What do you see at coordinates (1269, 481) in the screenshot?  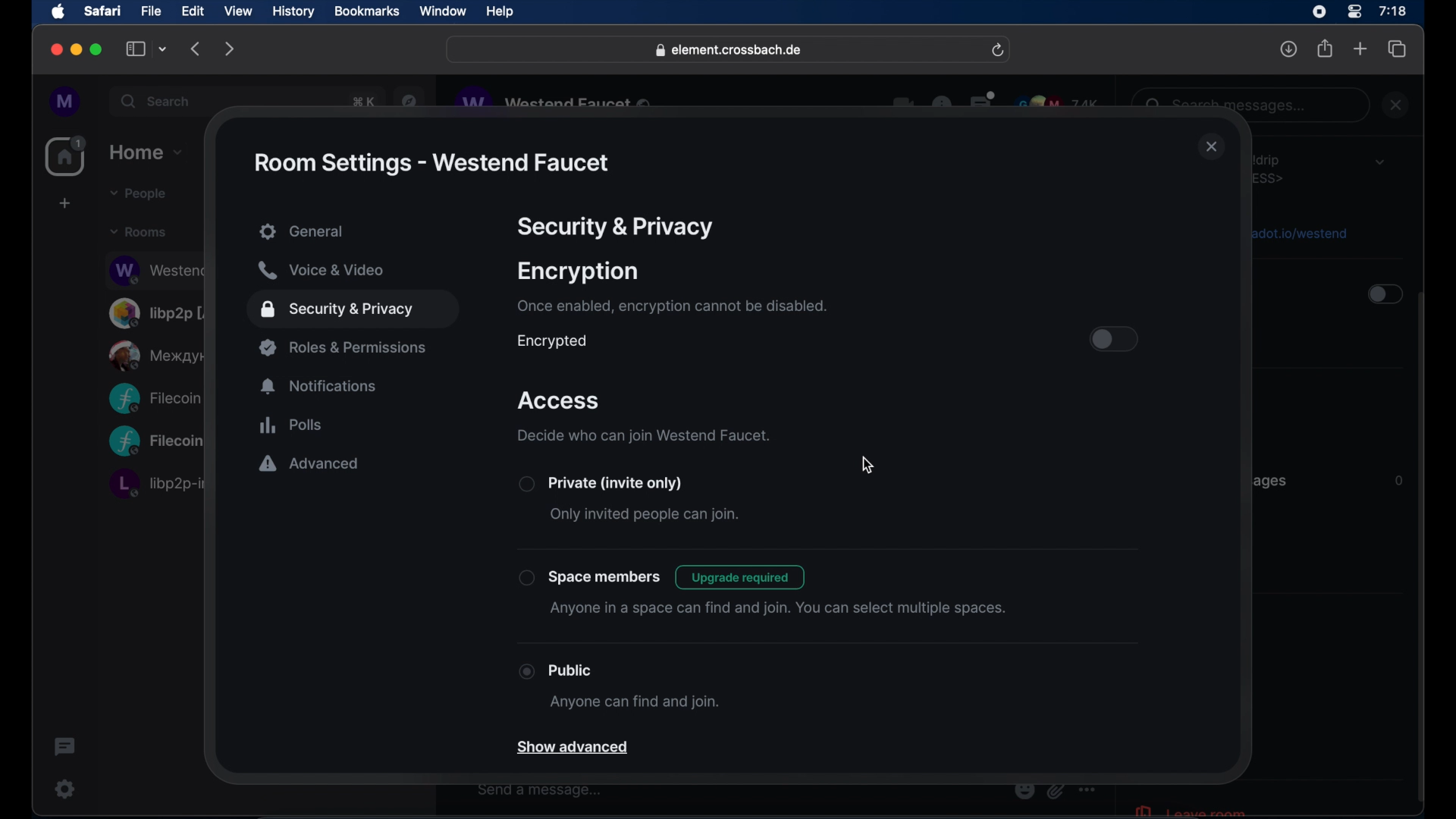 I see `obscure` at bounding box center [1269, 481].